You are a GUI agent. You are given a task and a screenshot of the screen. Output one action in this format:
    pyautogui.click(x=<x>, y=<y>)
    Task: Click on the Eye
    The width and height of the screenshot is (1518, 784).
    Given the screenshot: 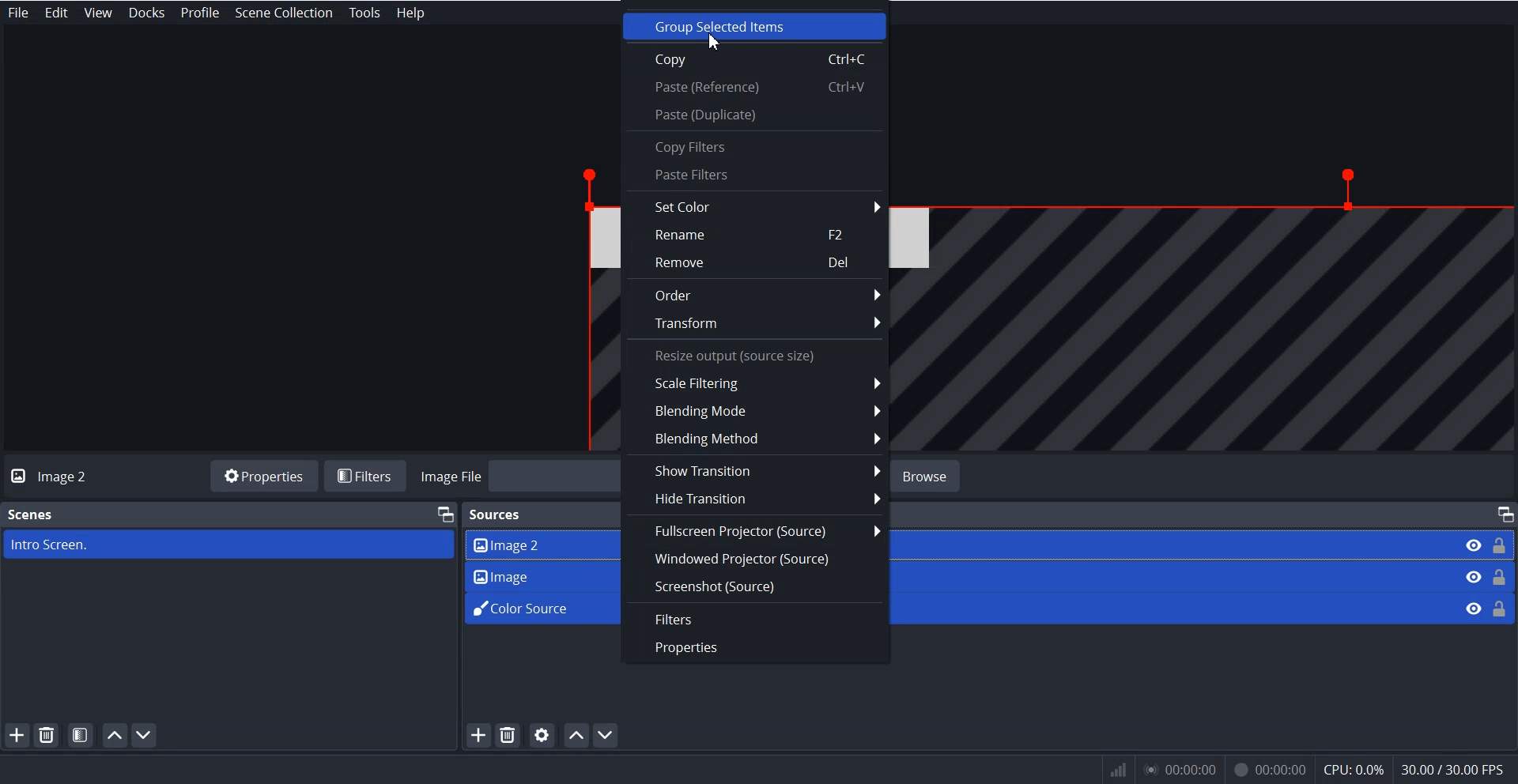 What is the action you would take?
    pyautogui.click(x=1472, y=576)
    